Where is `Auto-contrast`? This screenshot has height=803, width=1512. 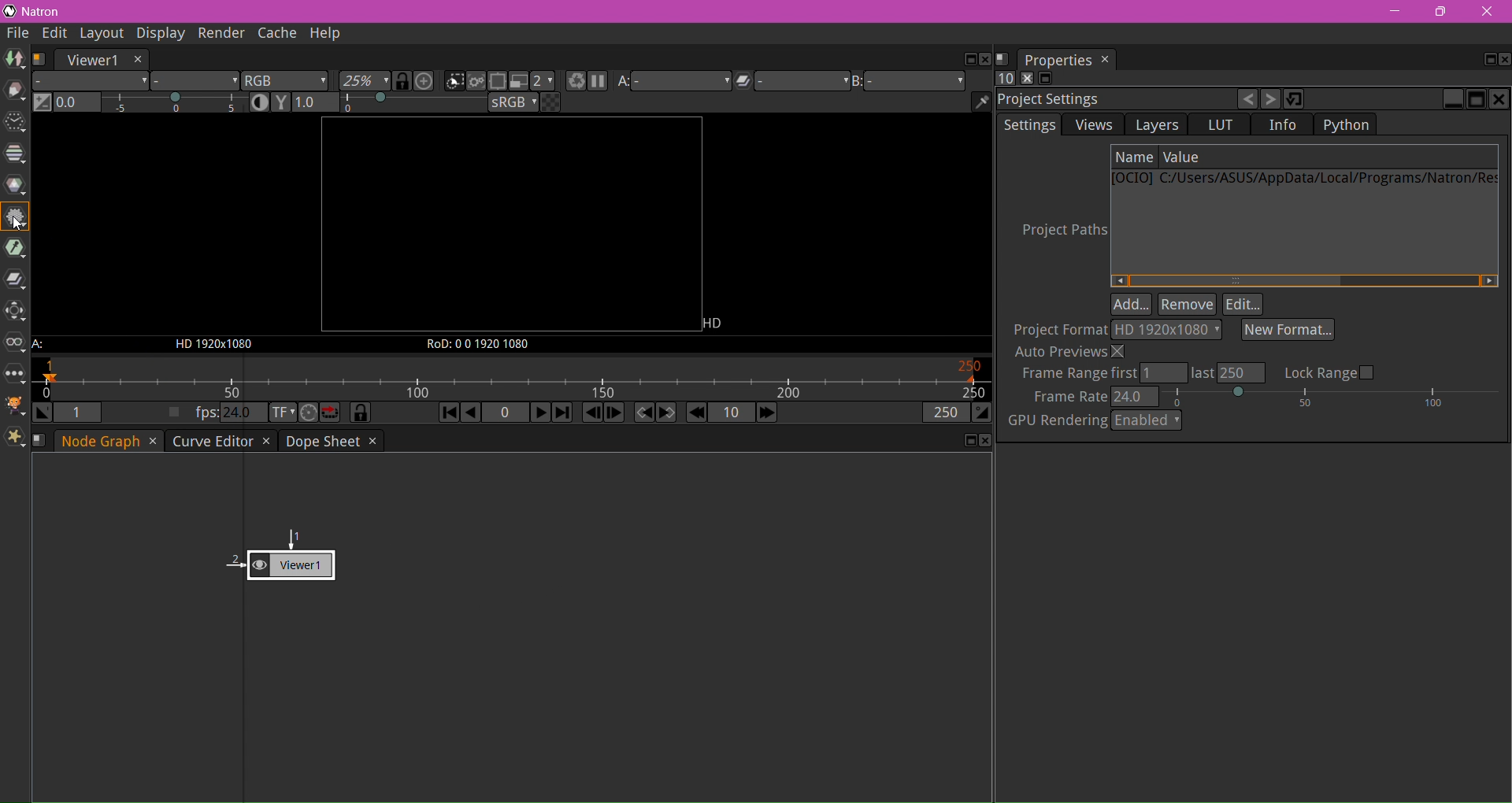
Auto-contrast is located at coordinates (261, 102).